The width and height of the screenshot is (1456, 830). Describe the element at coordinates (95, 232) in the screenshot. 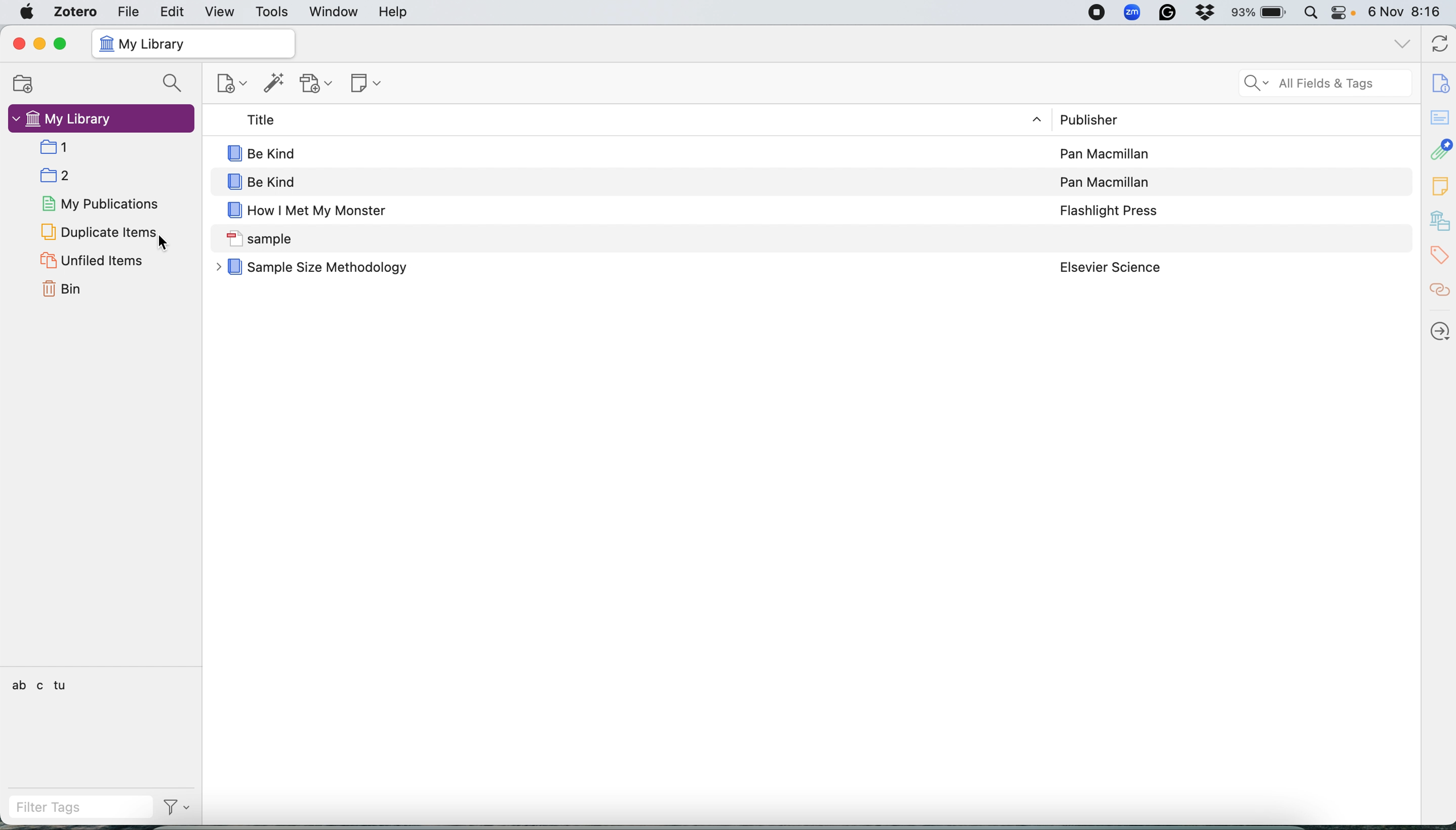

I see `duplicate items` at that location.